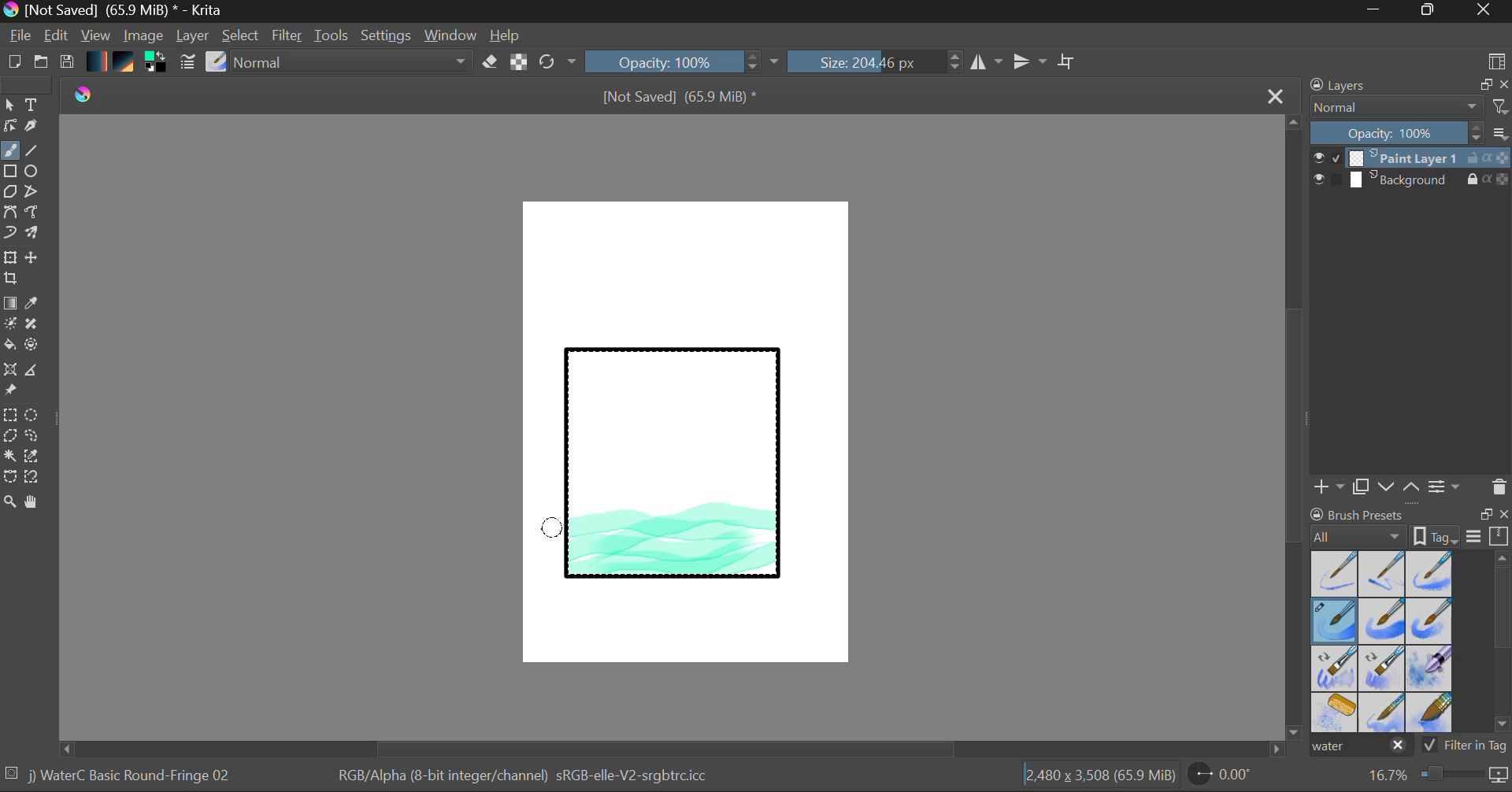  What do you see at coordinates (387, 35) in the screenshot?
I see `Settings` at bounding box center [387, 35].